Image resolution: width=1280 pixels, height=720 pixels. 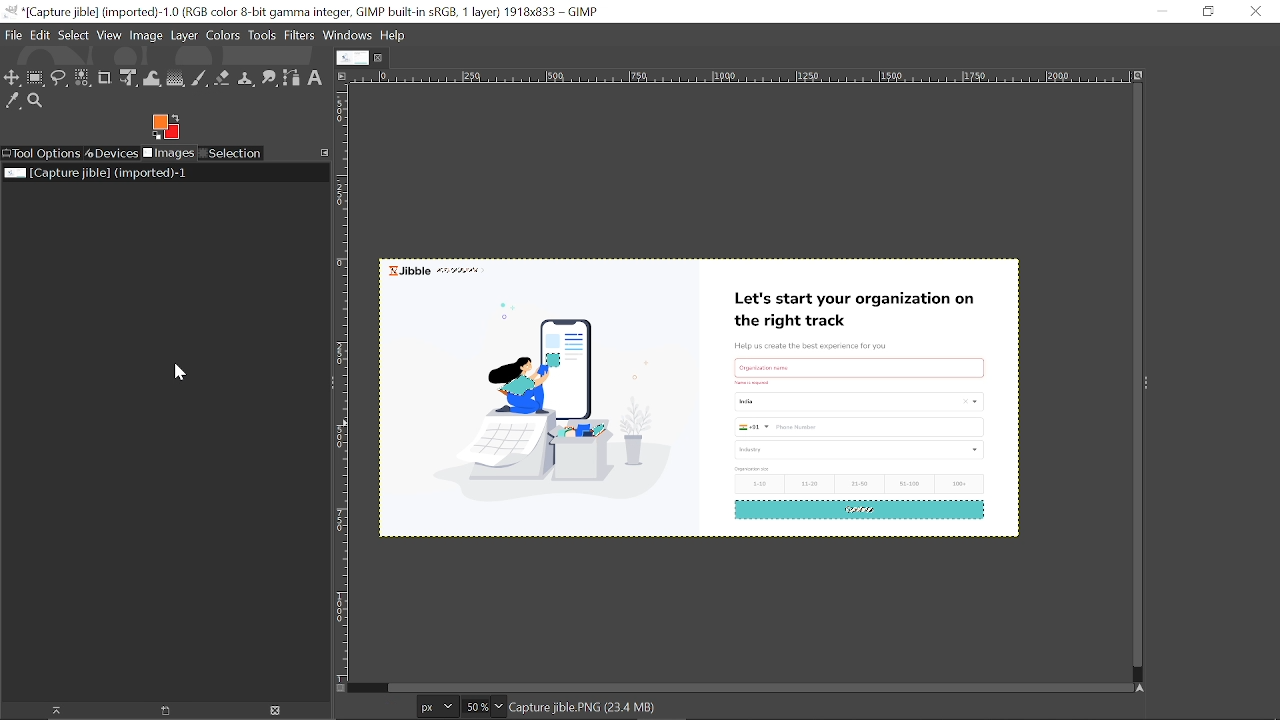 What do you see at coordinates (105, 77) in the screenshot?
I see `Crop tool` at bounding box center [105, 77].